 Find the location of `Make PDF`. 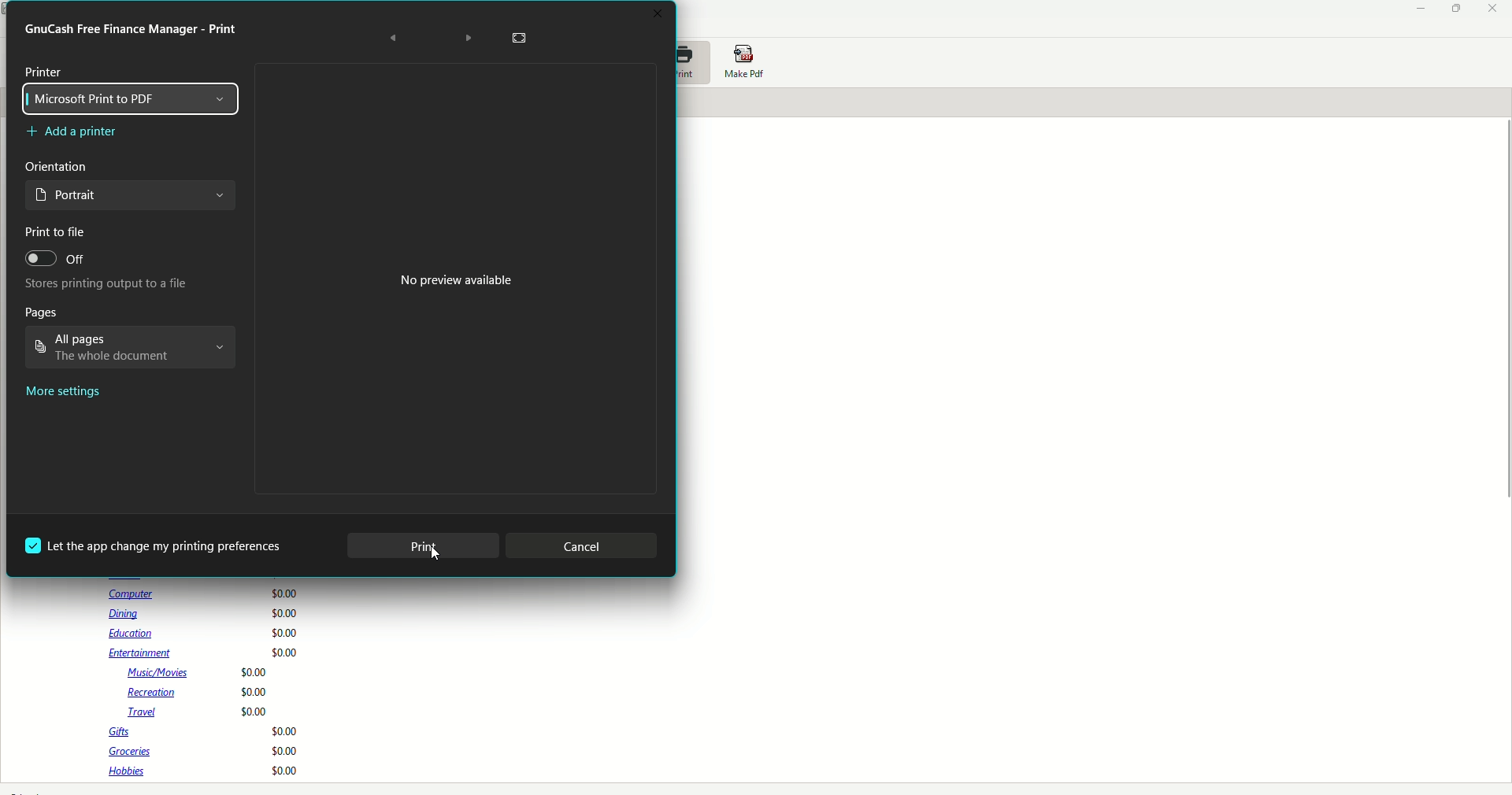

Make PDF is located at coordinates (746, 63).